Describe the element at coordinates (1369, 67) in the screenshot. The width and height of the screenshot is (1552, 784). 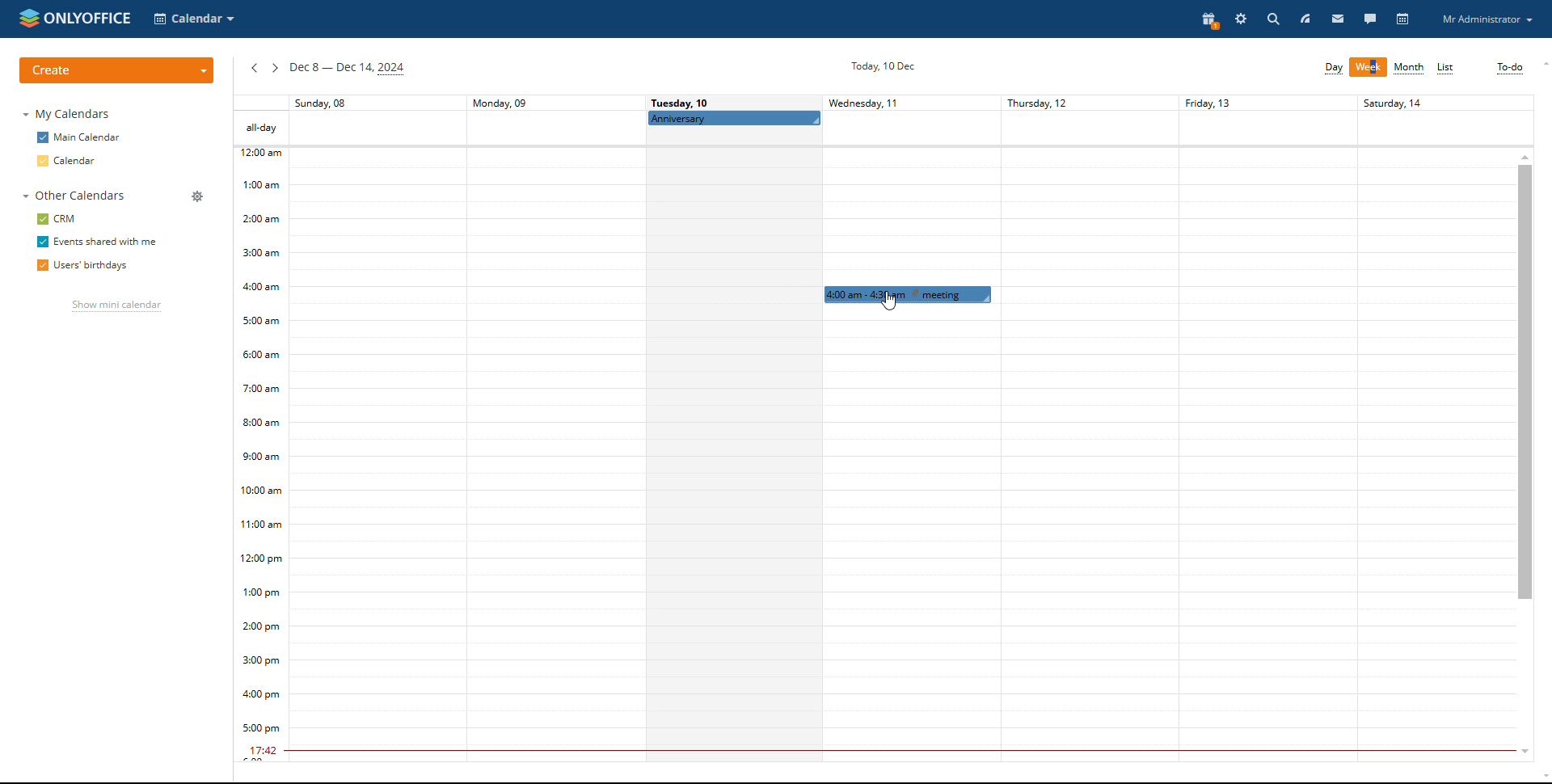
I see `week view` at that location.